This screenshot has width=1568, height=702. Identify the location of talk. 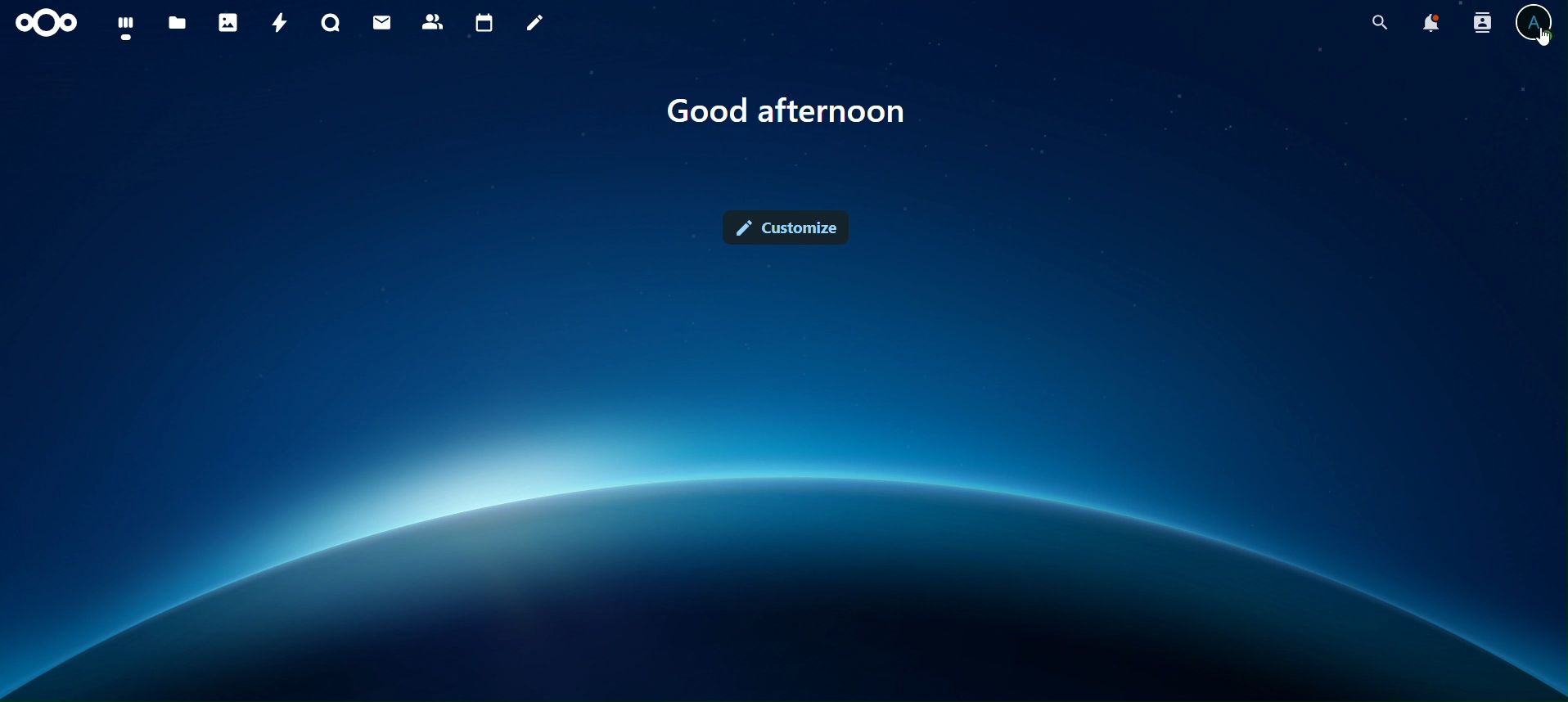
(329, 23).